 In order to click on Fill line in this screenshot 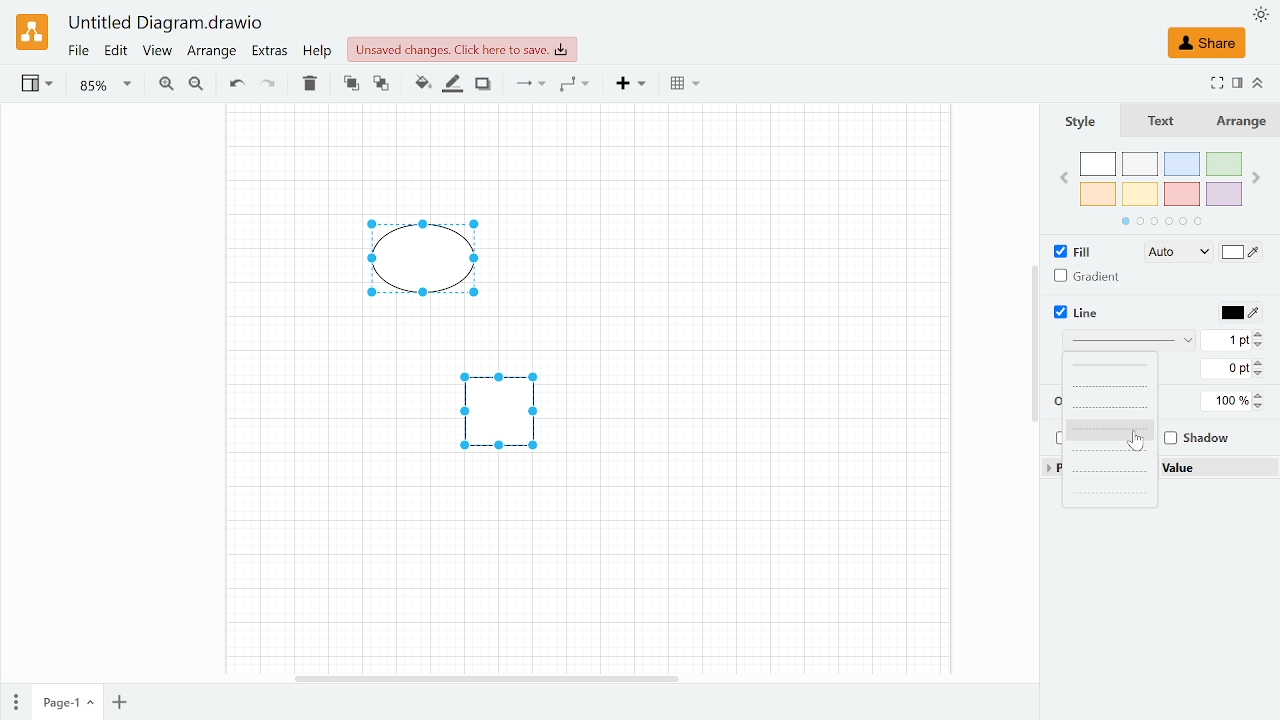, I will do `click(450, 85)`.